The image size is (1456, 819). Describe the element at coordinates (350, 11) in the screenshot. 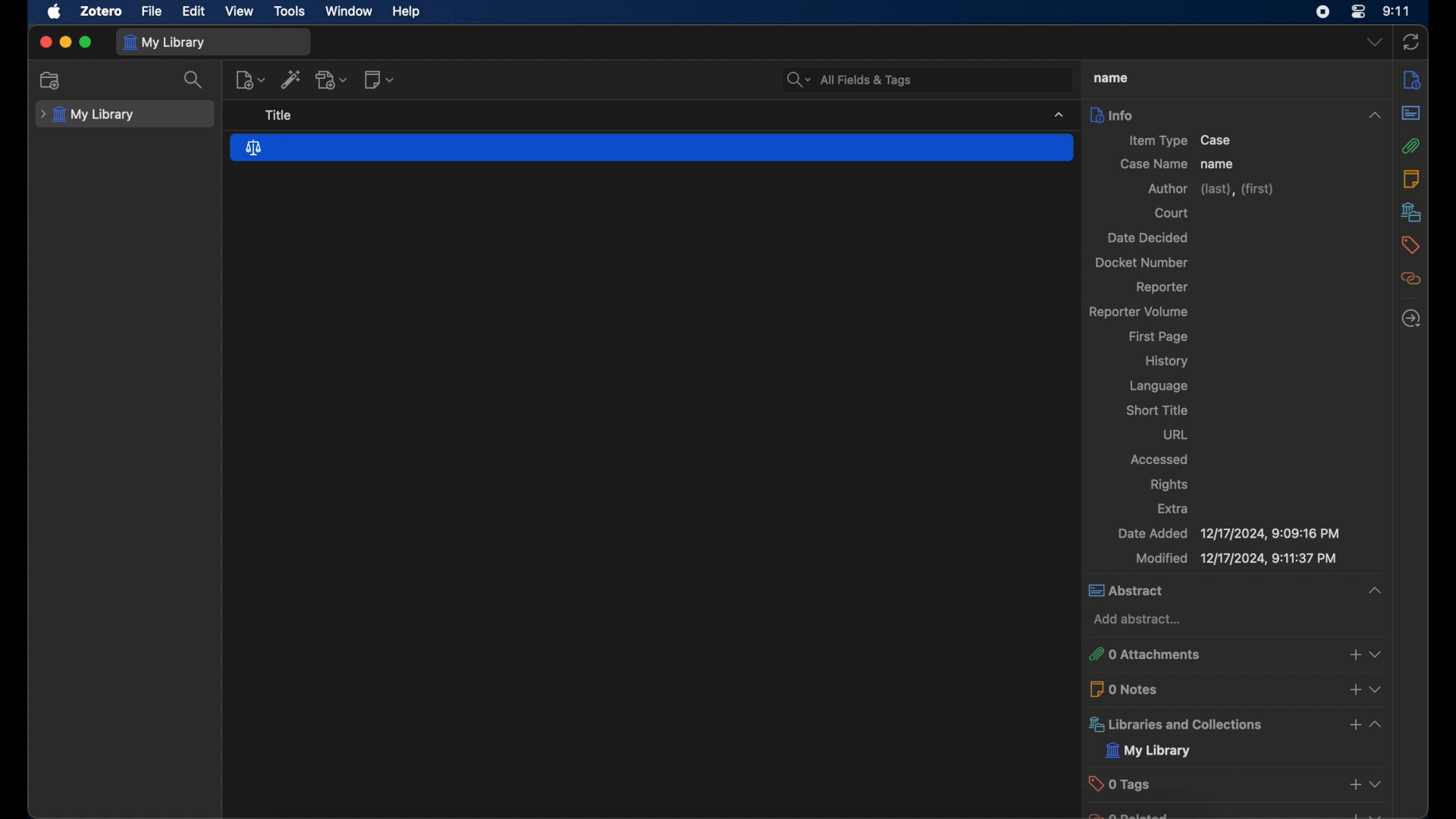

I see `window` at that location.